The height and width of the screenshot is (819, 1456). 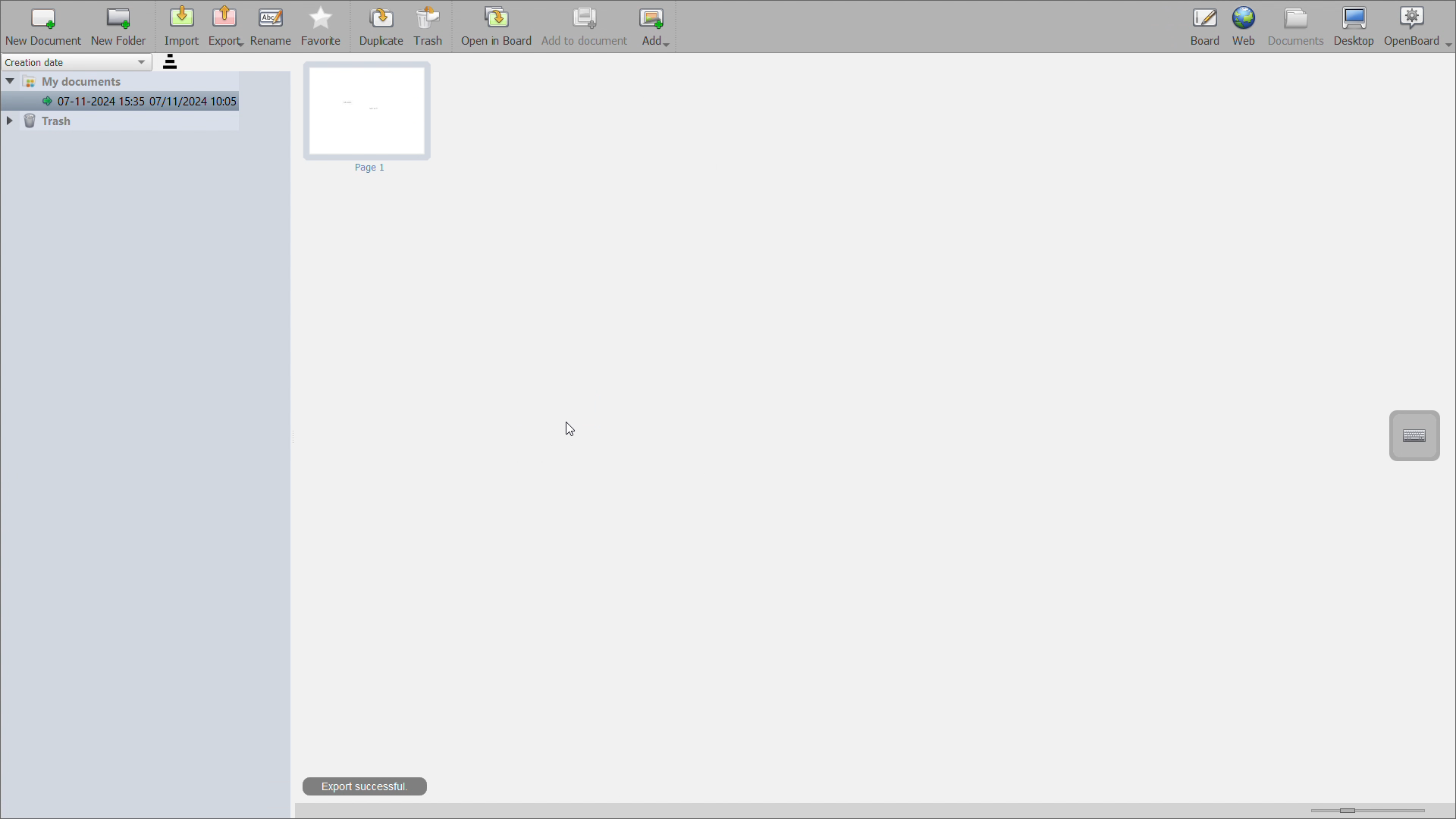 What do you see at coordinates (382, 27) in the screenshot?
I see `duplicate` at bounding box center [382, 27].